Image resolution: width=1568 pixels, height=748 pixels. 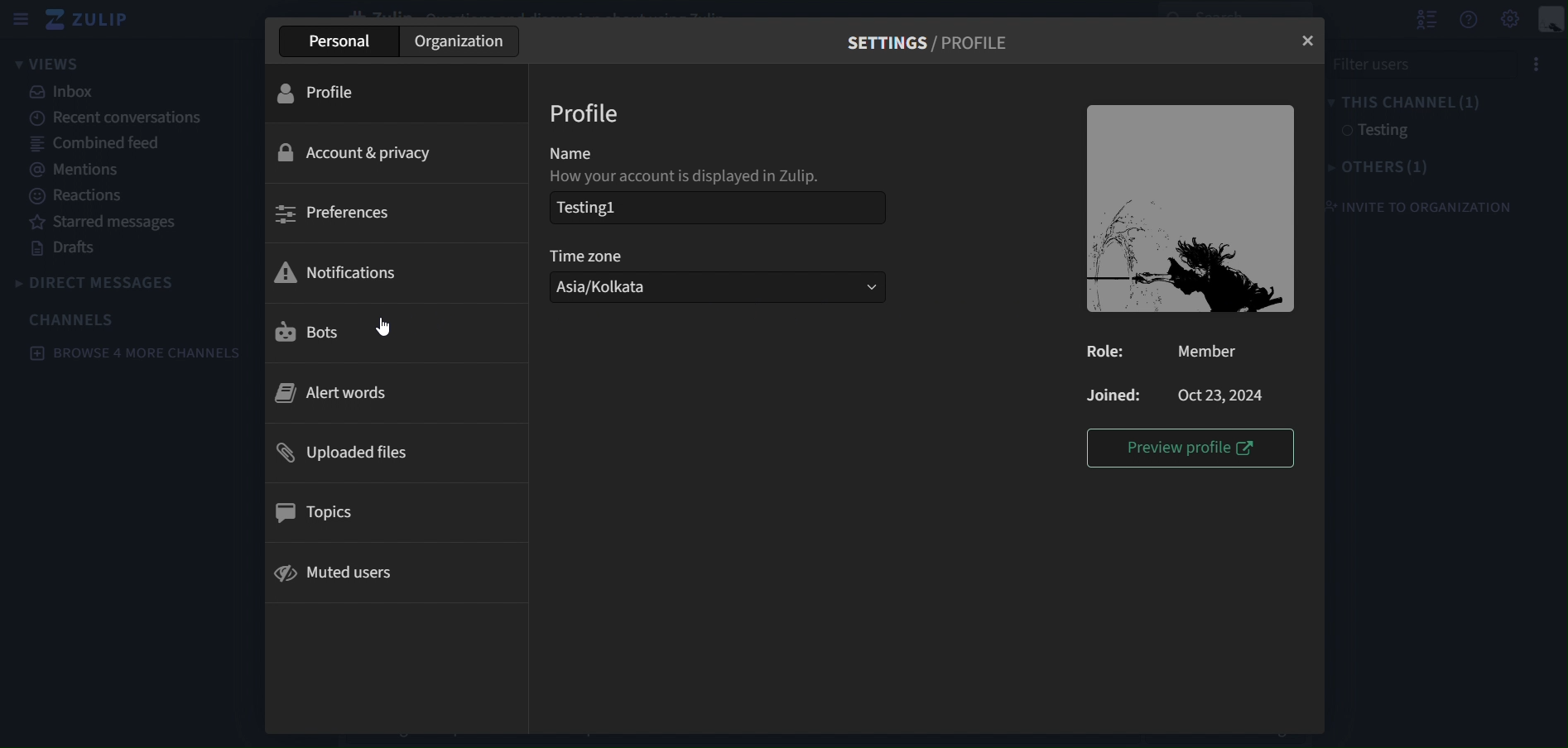 What do you see at coordinates (338, 453) in the screenshot?
I see `uploaded files` at bounding box center [338, 453].